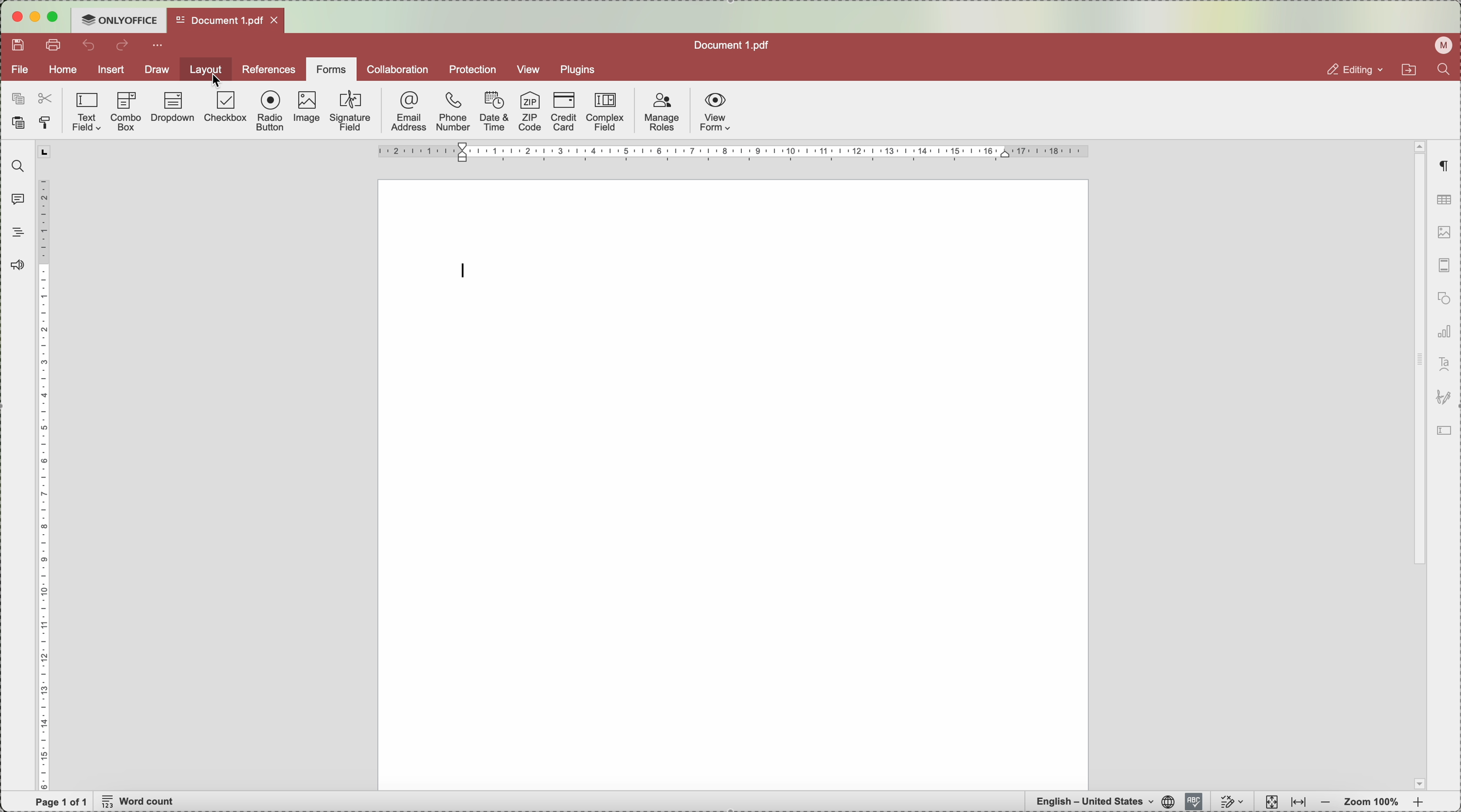 This screenshot has height=812, width=1461. Describe the element at coordinates (111, 71) in the screenshot. I see `insert` at that location.